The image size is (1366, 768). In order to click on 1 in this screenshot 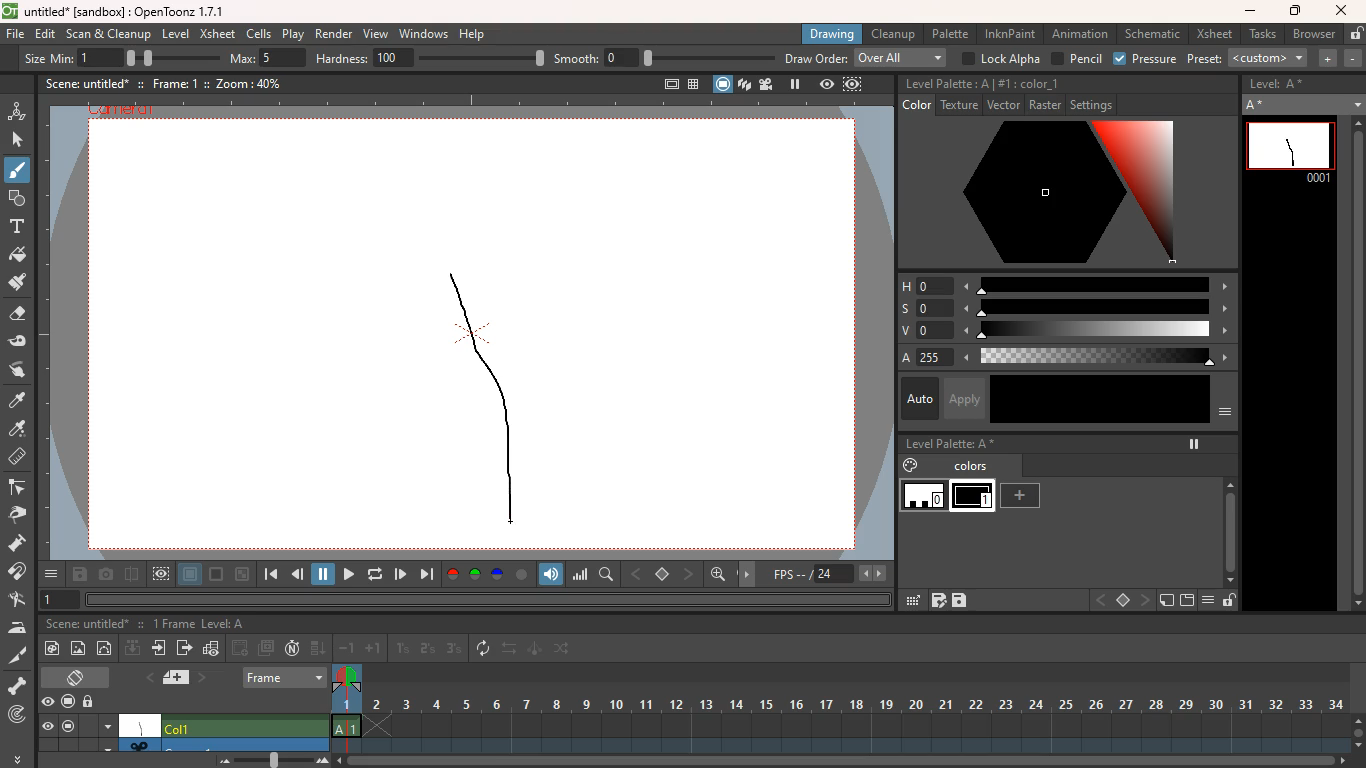, I will do `click(61, 599)`.